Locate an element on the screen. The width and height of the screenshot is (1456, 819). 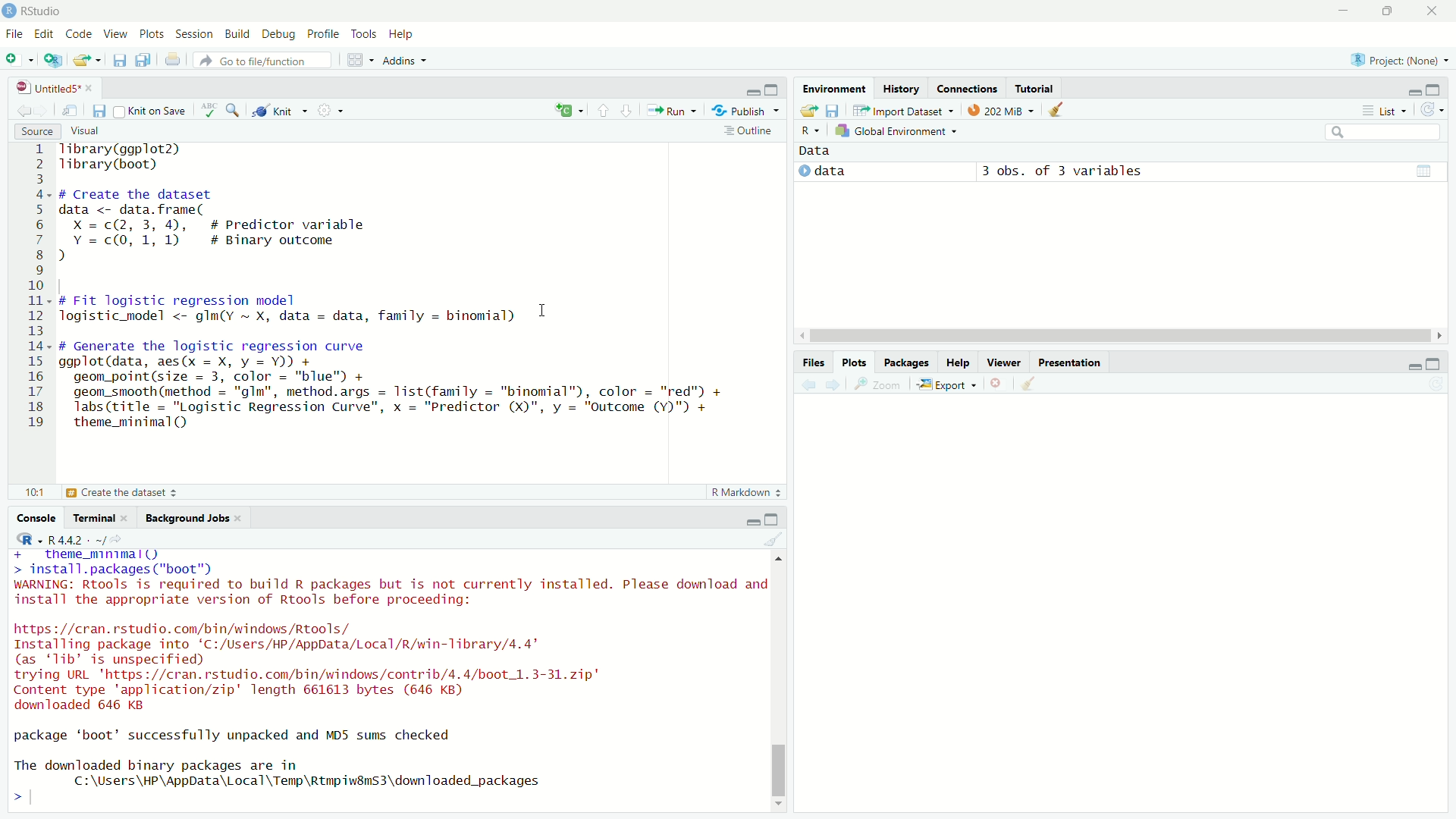
Search bar is located at coordinates (1384, 133).